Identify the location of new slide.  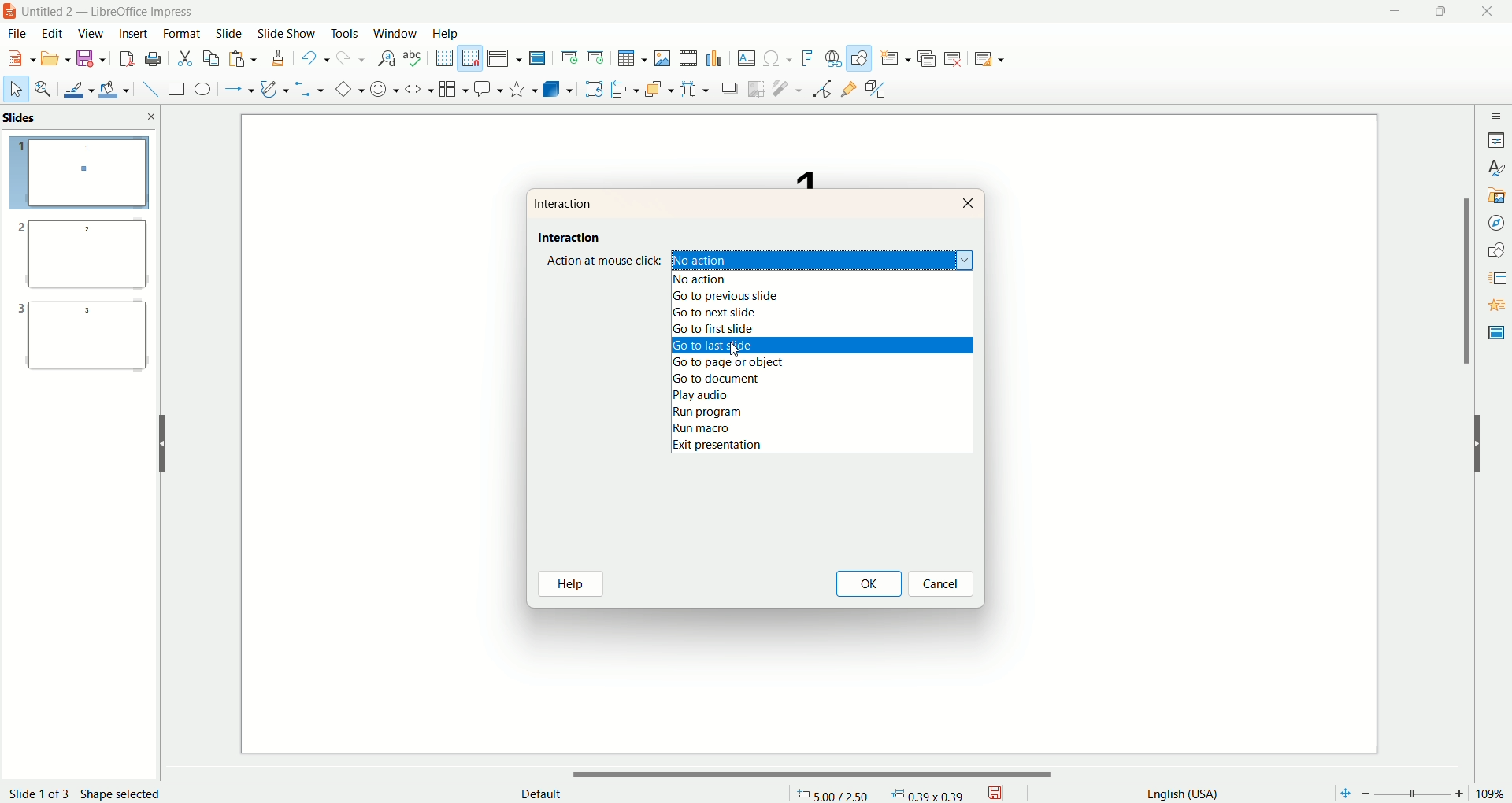
(895, 57).